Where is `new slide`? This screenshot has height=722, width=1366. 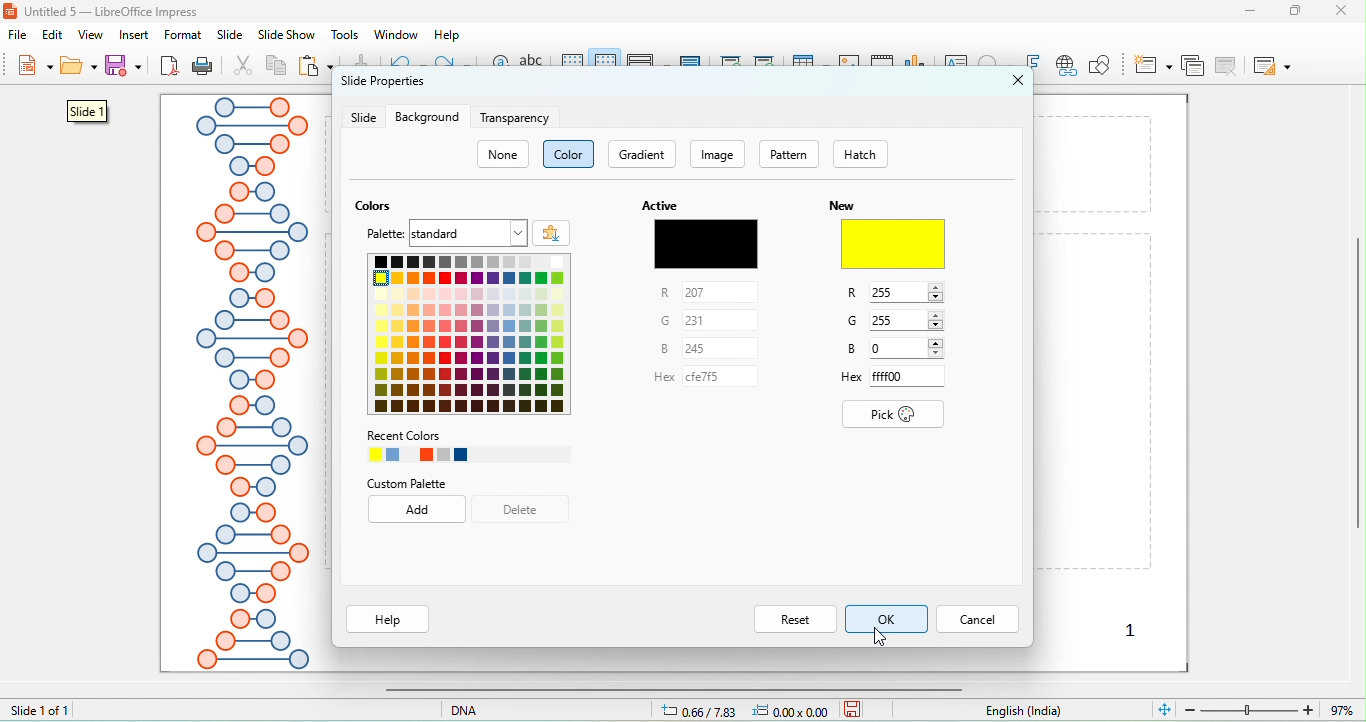
new slide is located at coordinates (1153, 64).